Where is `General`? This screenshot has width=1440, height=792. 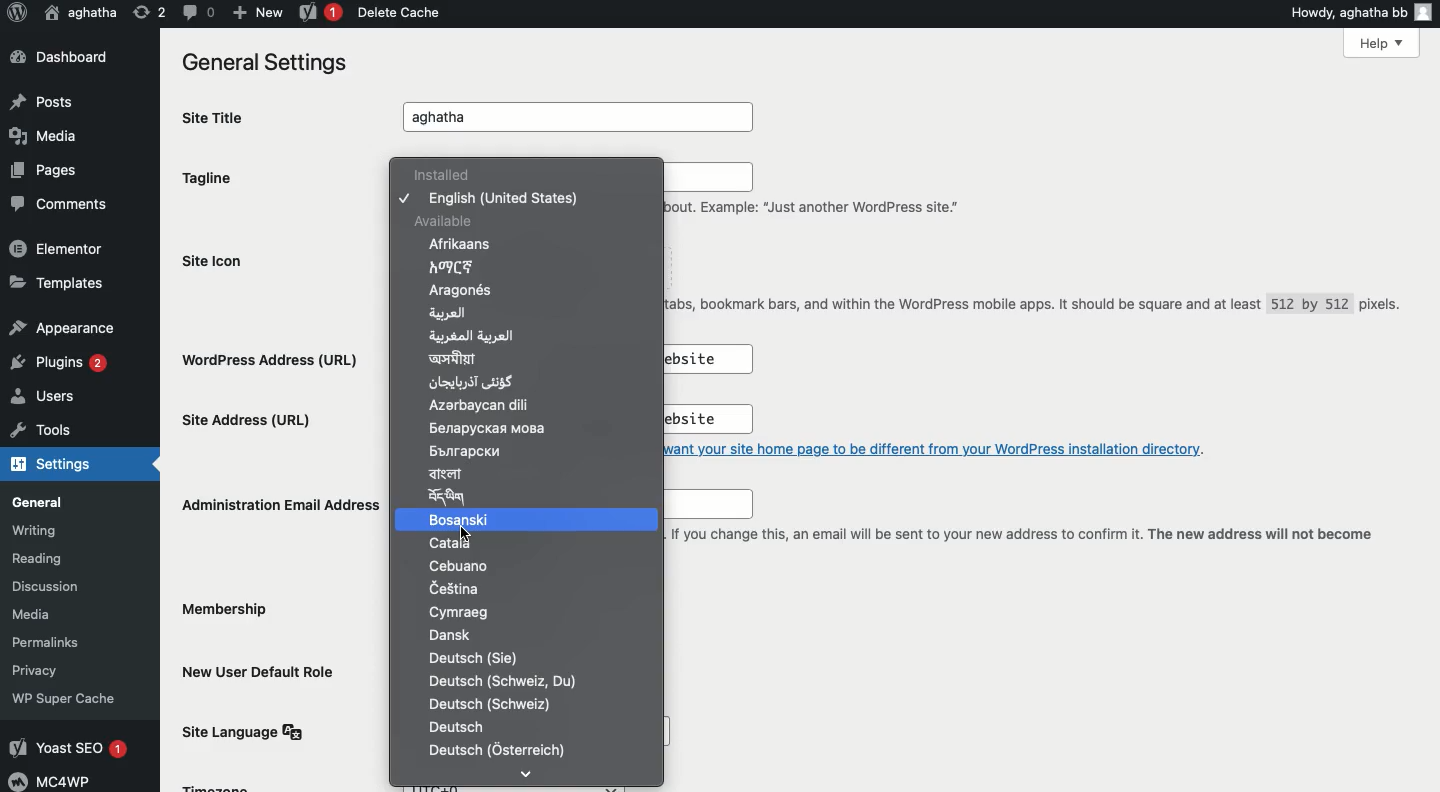
General is located at coordinates (48, 501).